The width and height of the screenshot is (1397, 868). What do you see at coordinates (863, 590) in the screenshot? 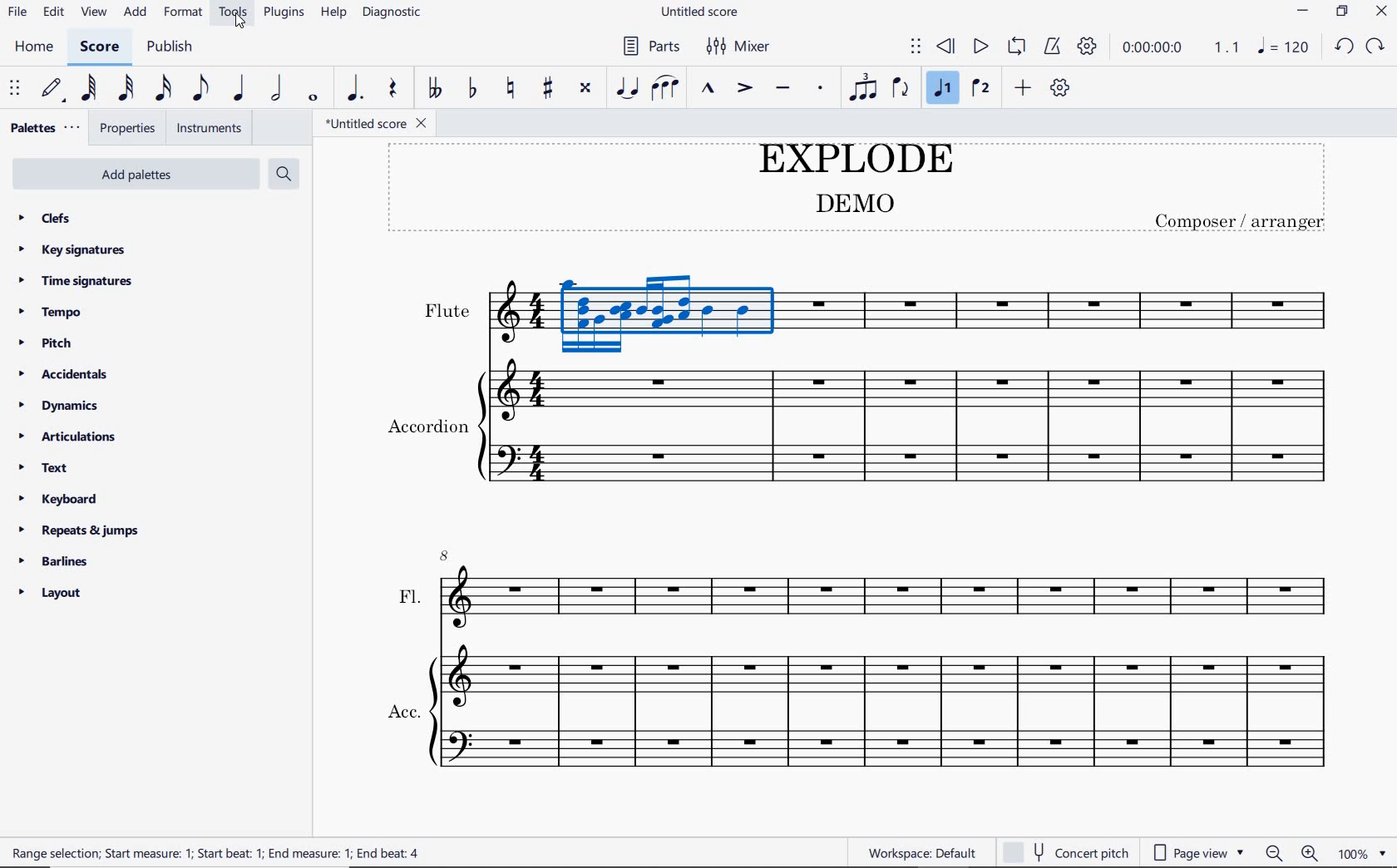
I see `FL` at bounding box center [863, 590].